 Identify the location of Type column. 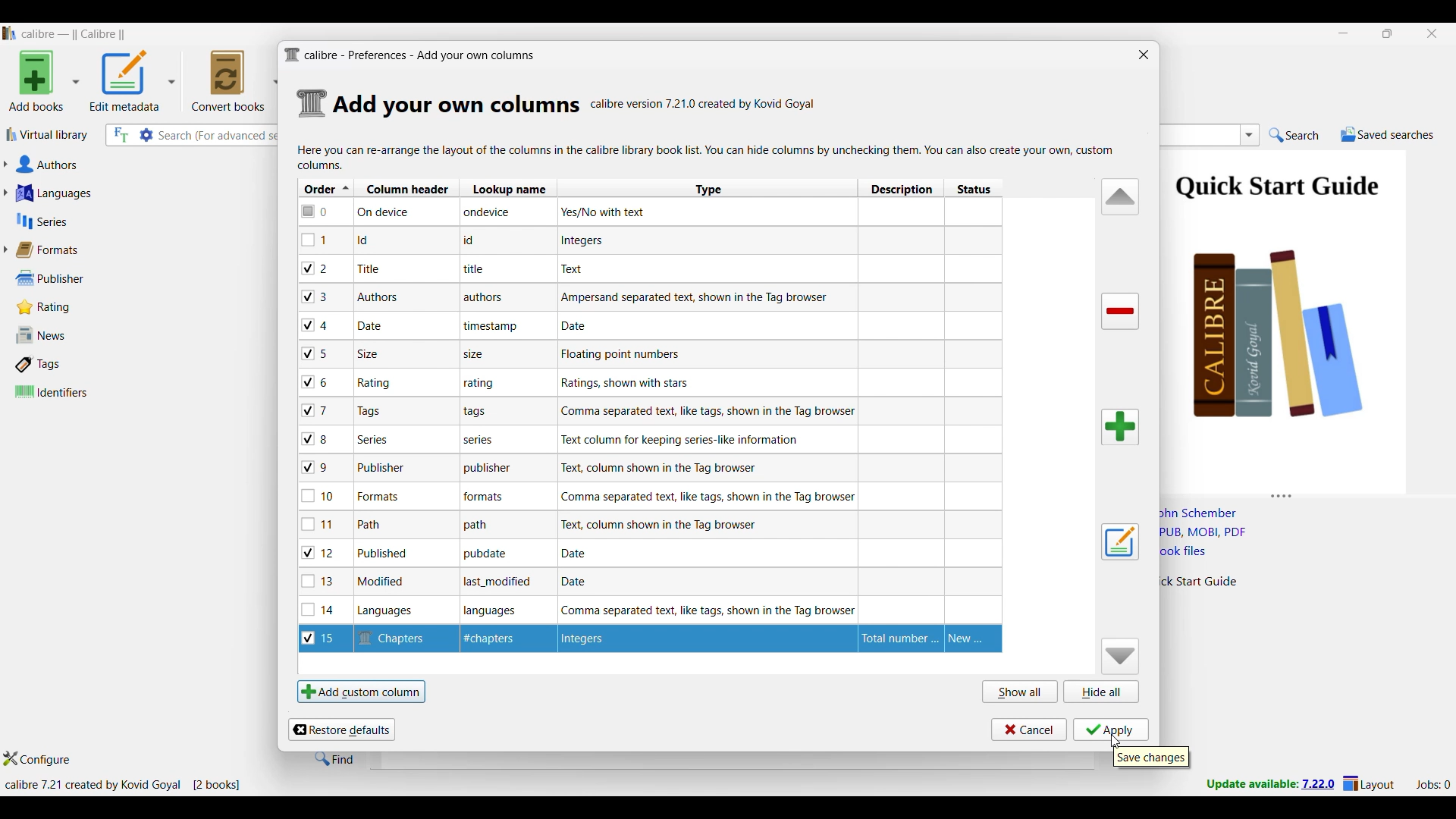
(708, 188).